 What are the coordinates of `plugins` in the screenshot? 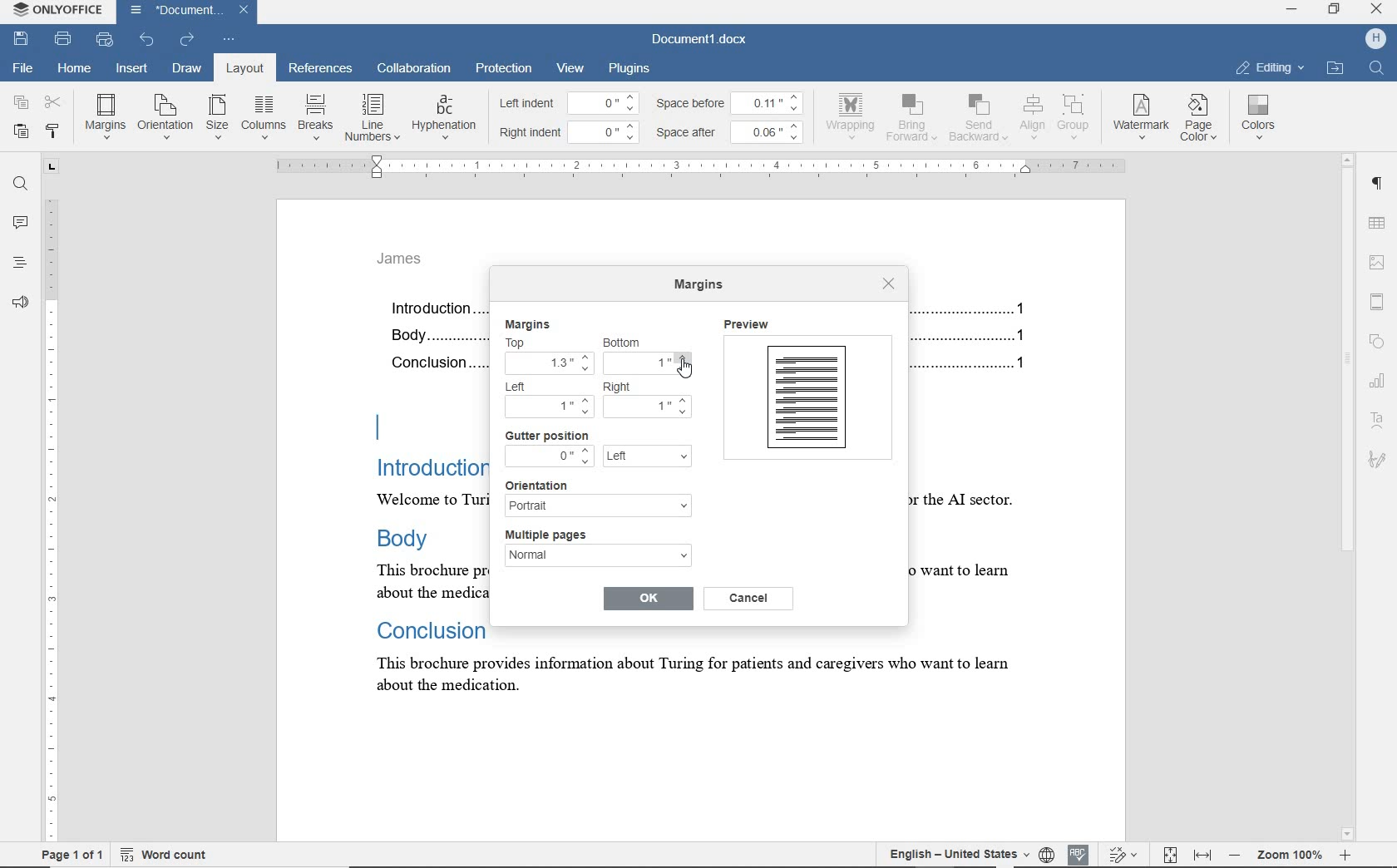 It's located at (632, 67).